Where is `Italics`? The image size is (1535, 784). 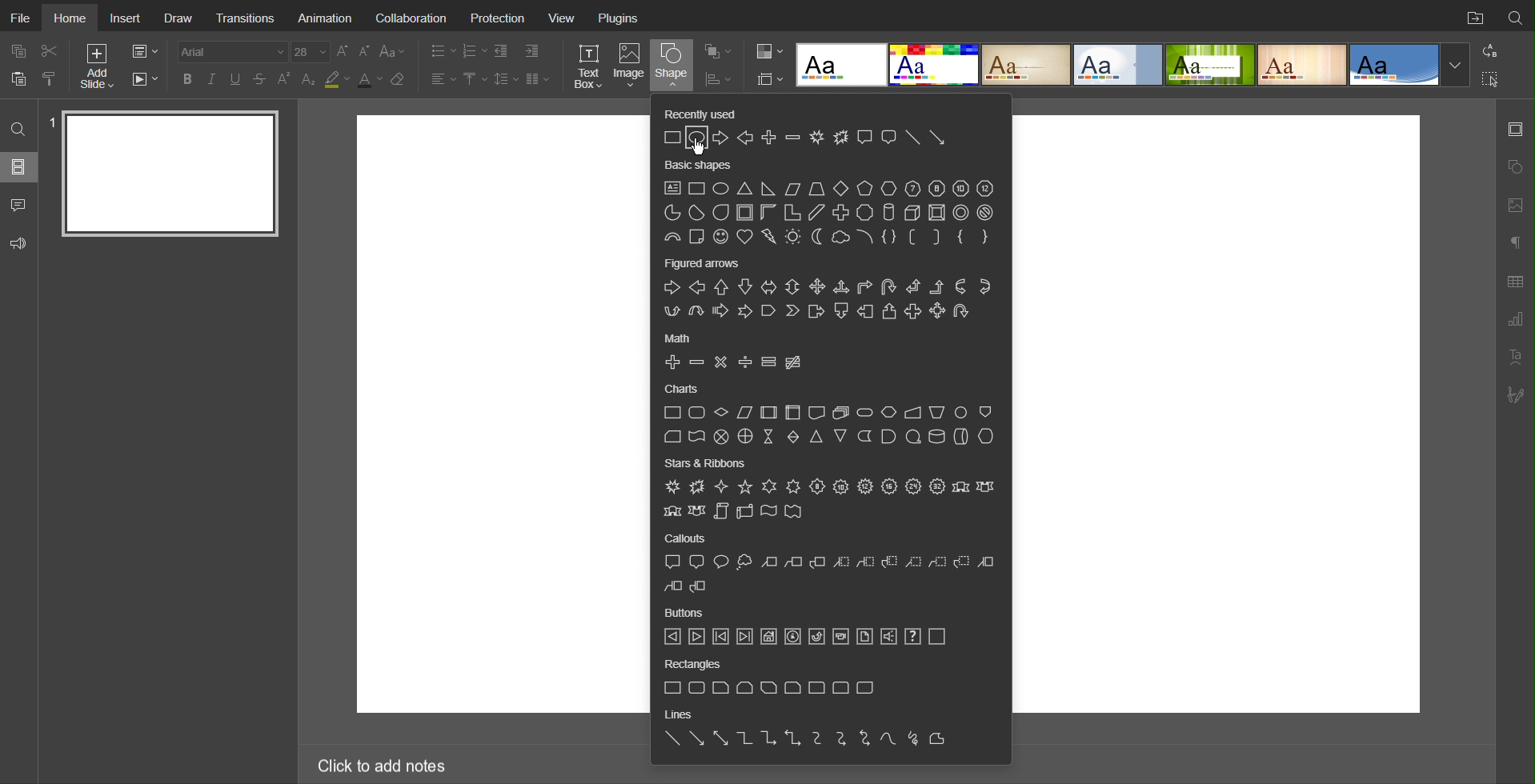
Italics is located at coordinates (212, 79).